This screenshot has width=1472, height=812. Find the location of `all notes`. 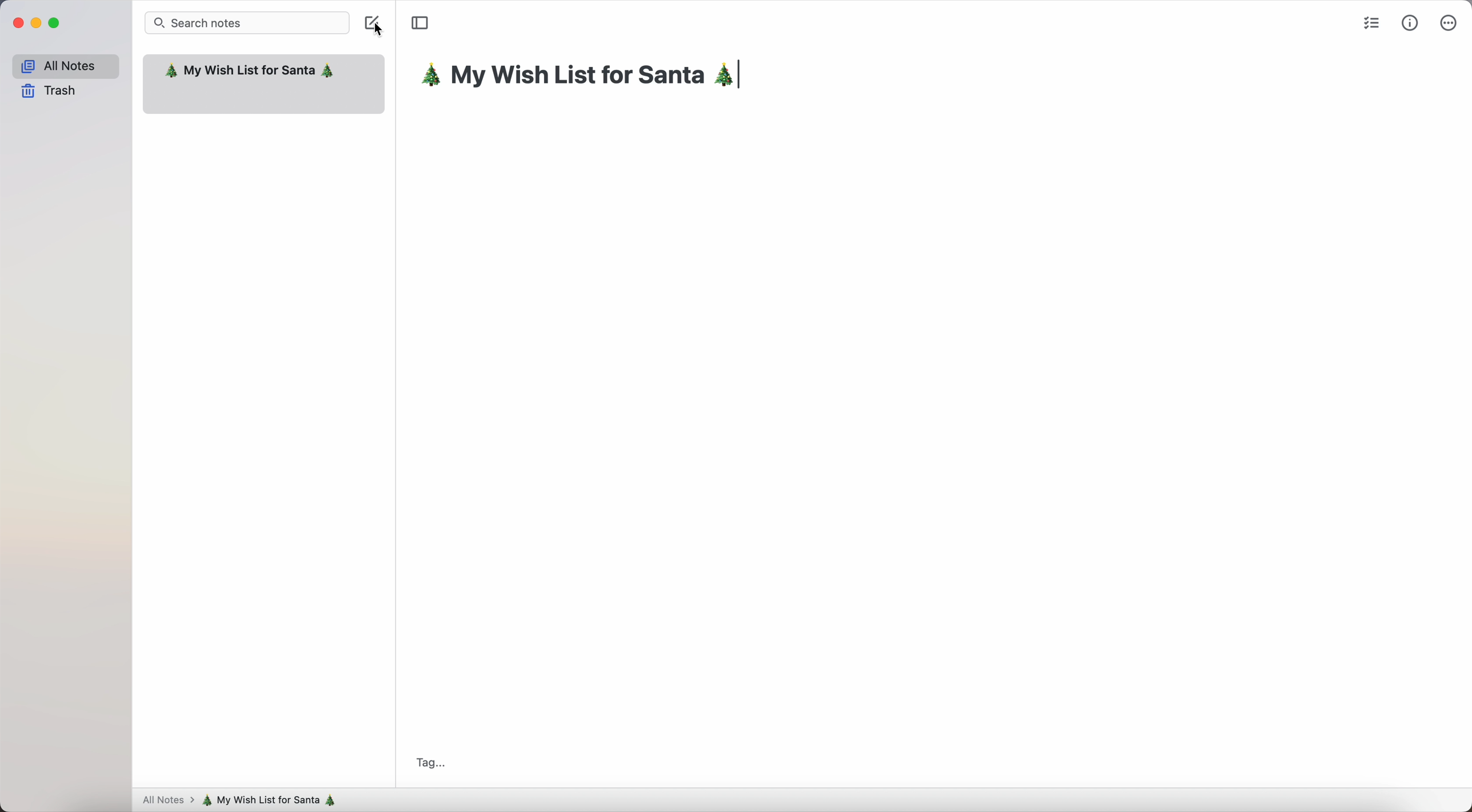

all notes is located at coordinates (166, 801).